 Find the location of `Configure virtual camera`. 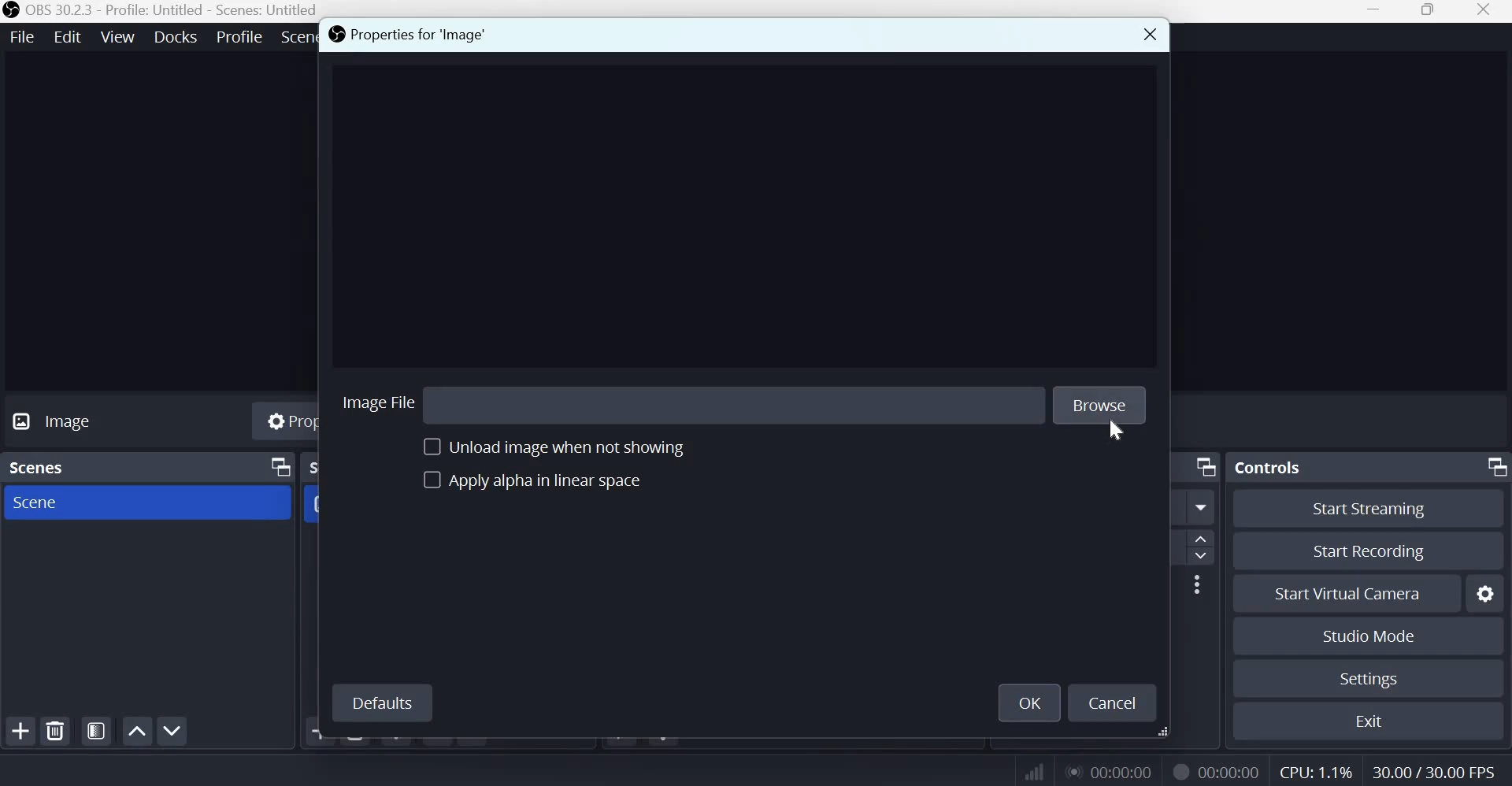

Configure virtual camera is located at coordinates (1486, 591).